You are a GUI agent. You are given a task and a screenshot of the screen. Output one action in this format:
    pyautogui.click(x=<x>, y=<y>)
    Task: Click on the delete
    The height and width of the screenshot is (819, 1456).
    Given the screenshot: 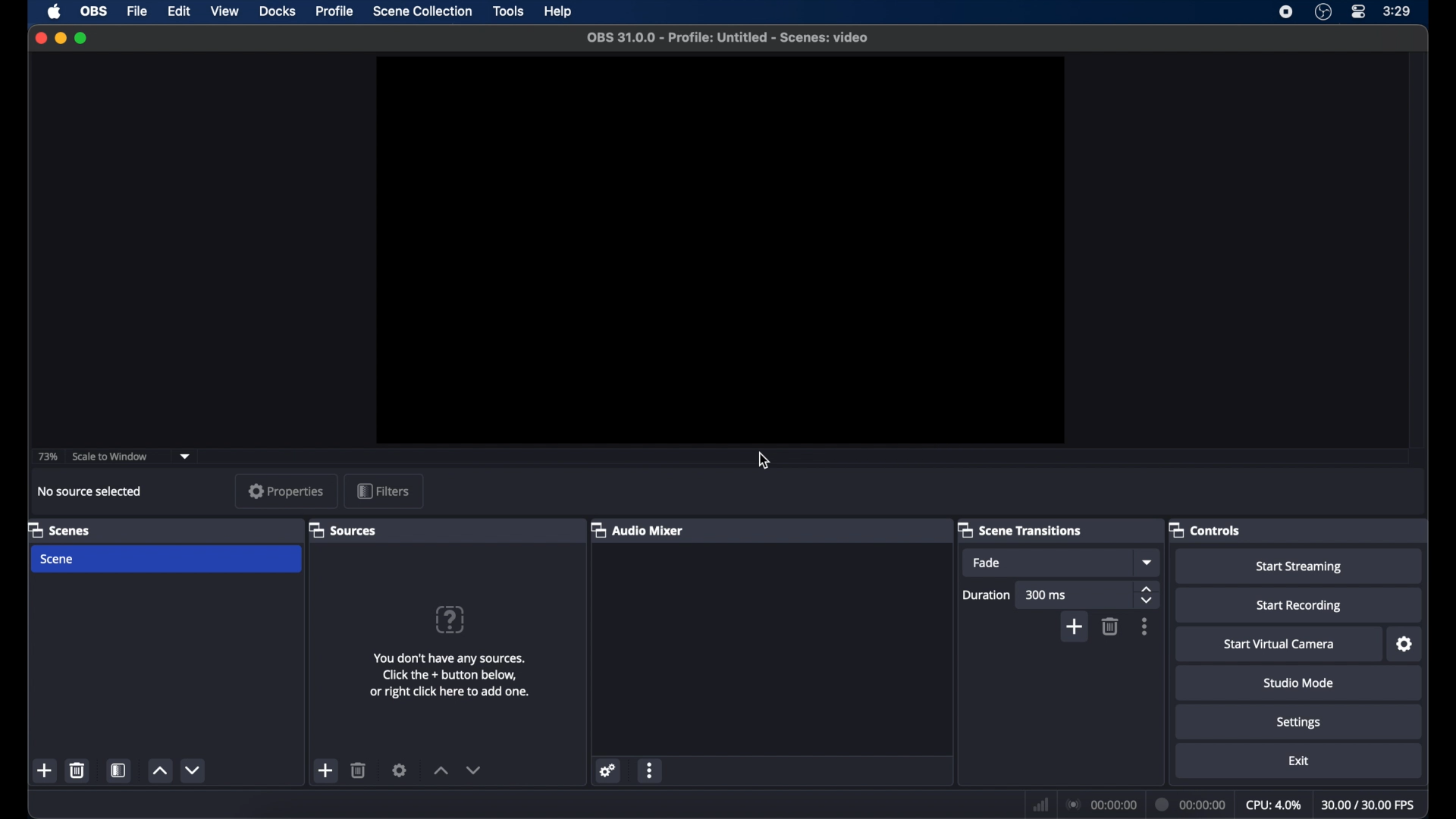 What is the action you would take?
    pyautogui.click(x=1110, y=626)
    